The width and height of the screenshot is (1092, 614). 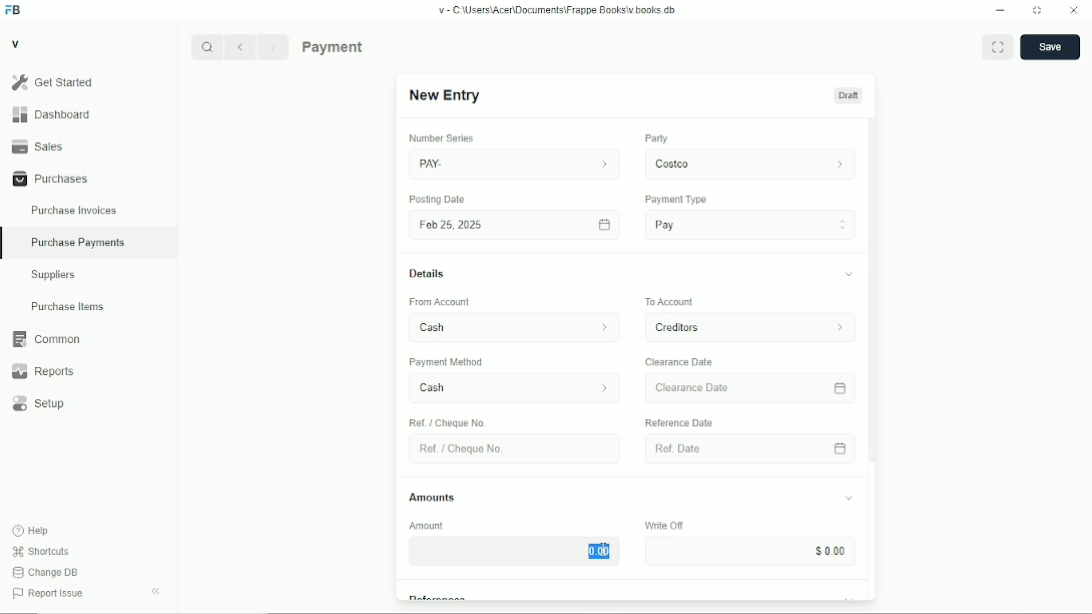 What do you see at coordinates (667, 300) in the screenshot?
I see `To Account` at bounding box center [667, 300].